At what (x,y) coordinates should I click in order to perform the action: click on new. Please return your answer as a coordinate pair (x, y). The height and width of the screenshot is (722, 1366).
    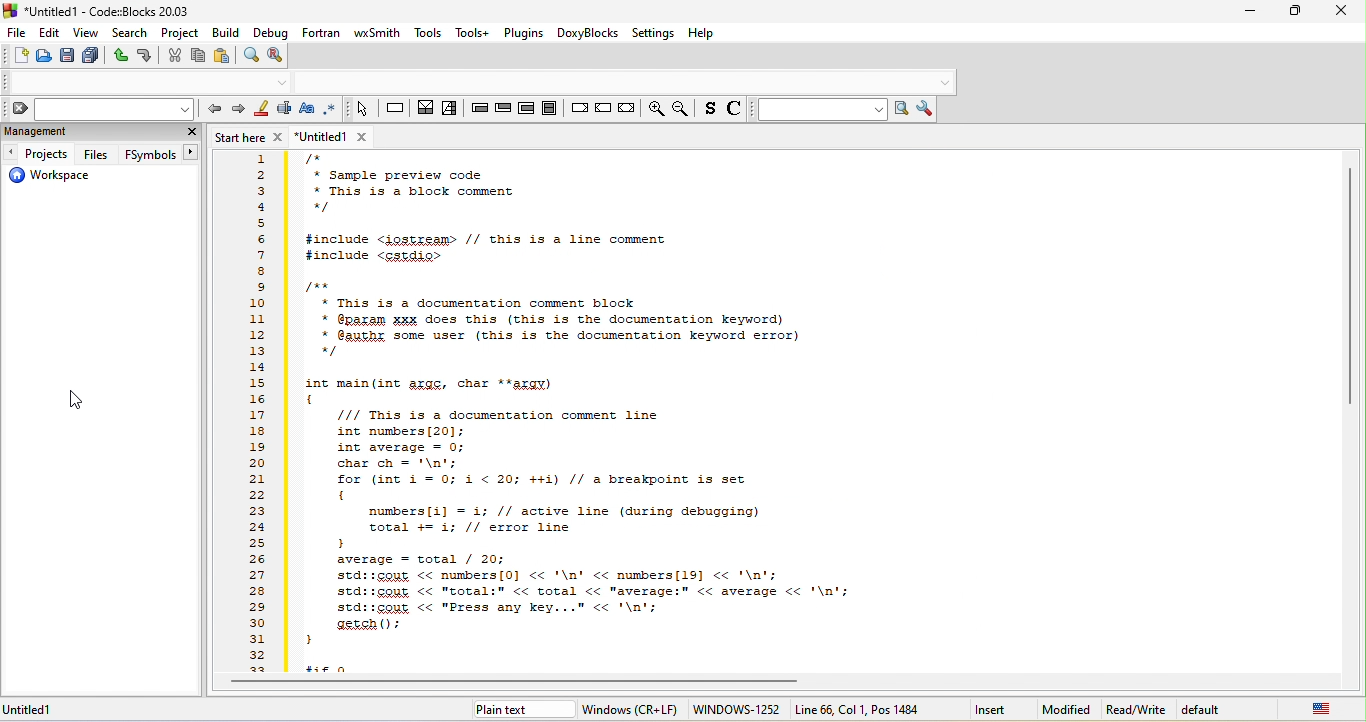
    Looking at the image, I should click on (18, 55).